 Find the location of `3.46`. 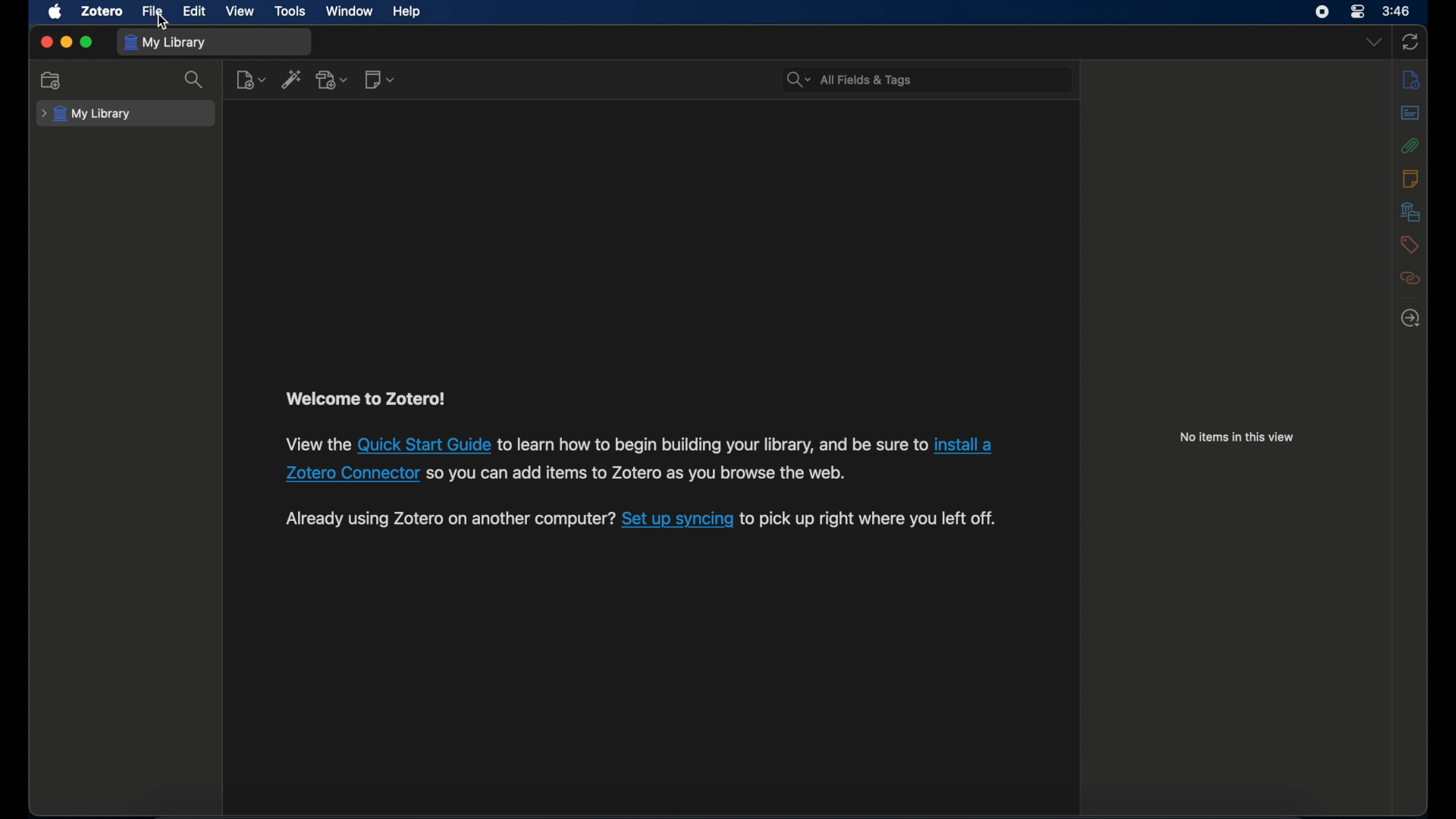

3.46 is located at coordinates (1397, 11).